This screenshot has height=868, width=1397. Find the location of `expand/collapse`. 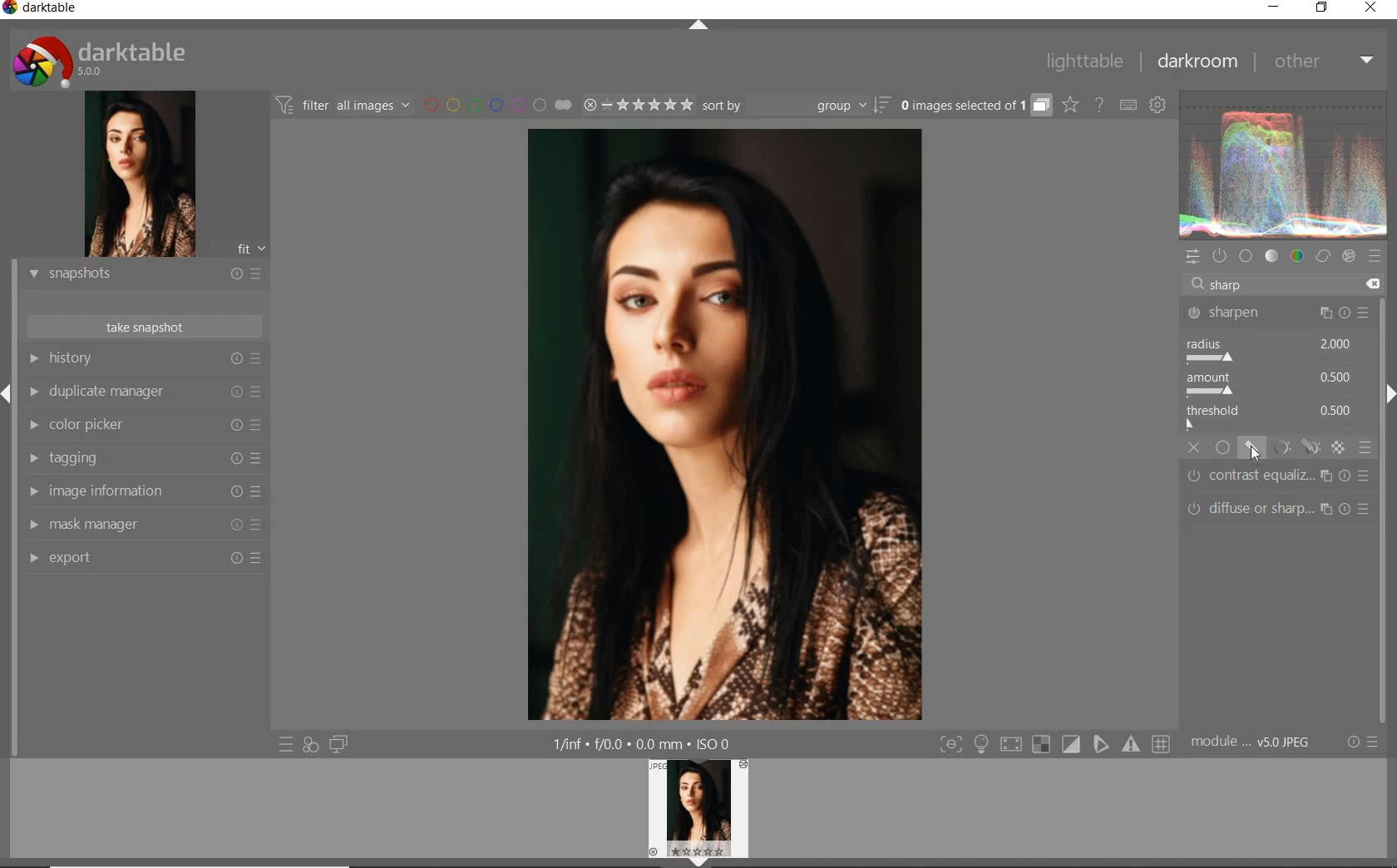

expand/collapse is located at coordinates (700, 26).